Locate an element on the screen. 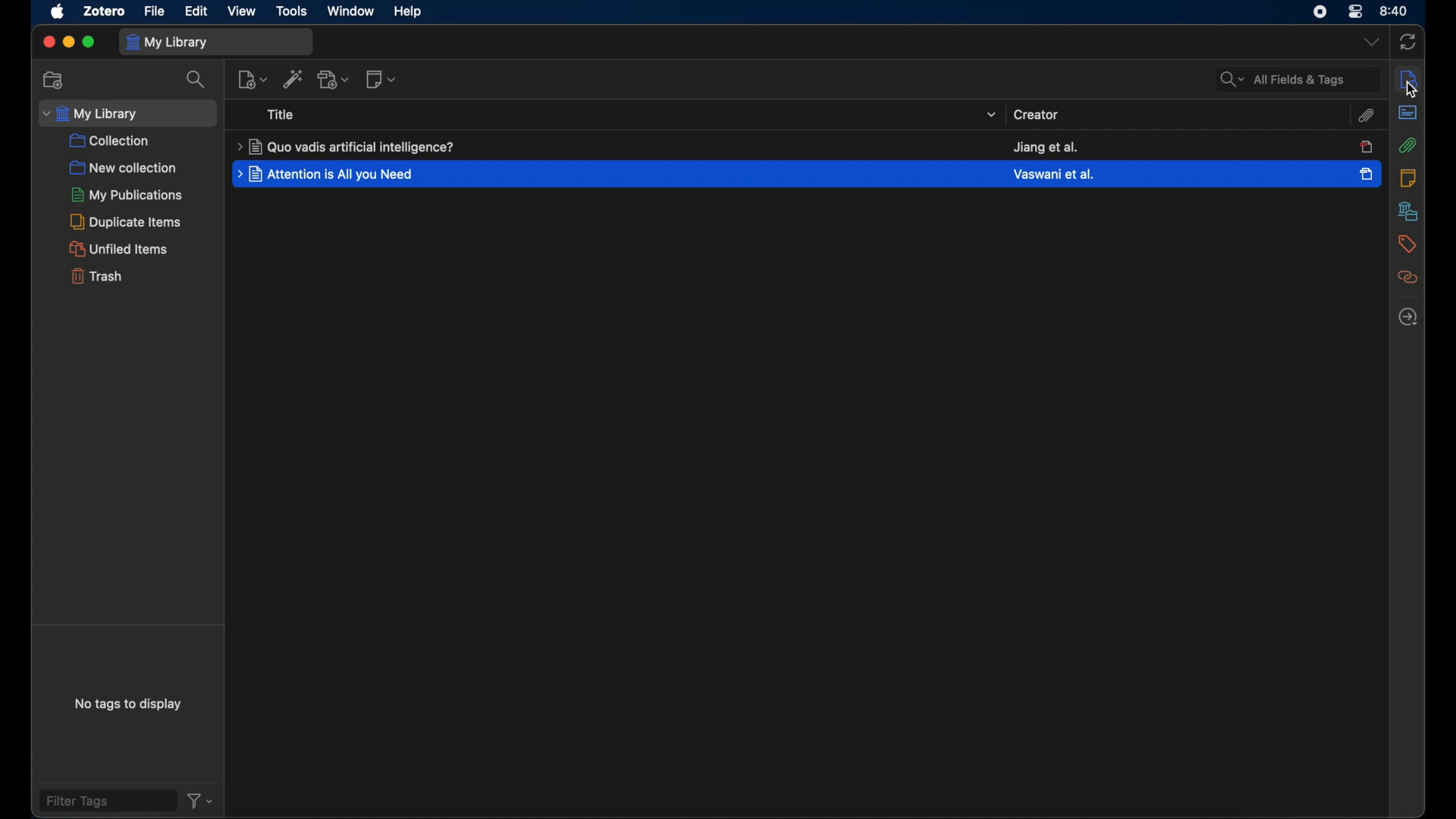  creator is located at coordinates (1039, 115).